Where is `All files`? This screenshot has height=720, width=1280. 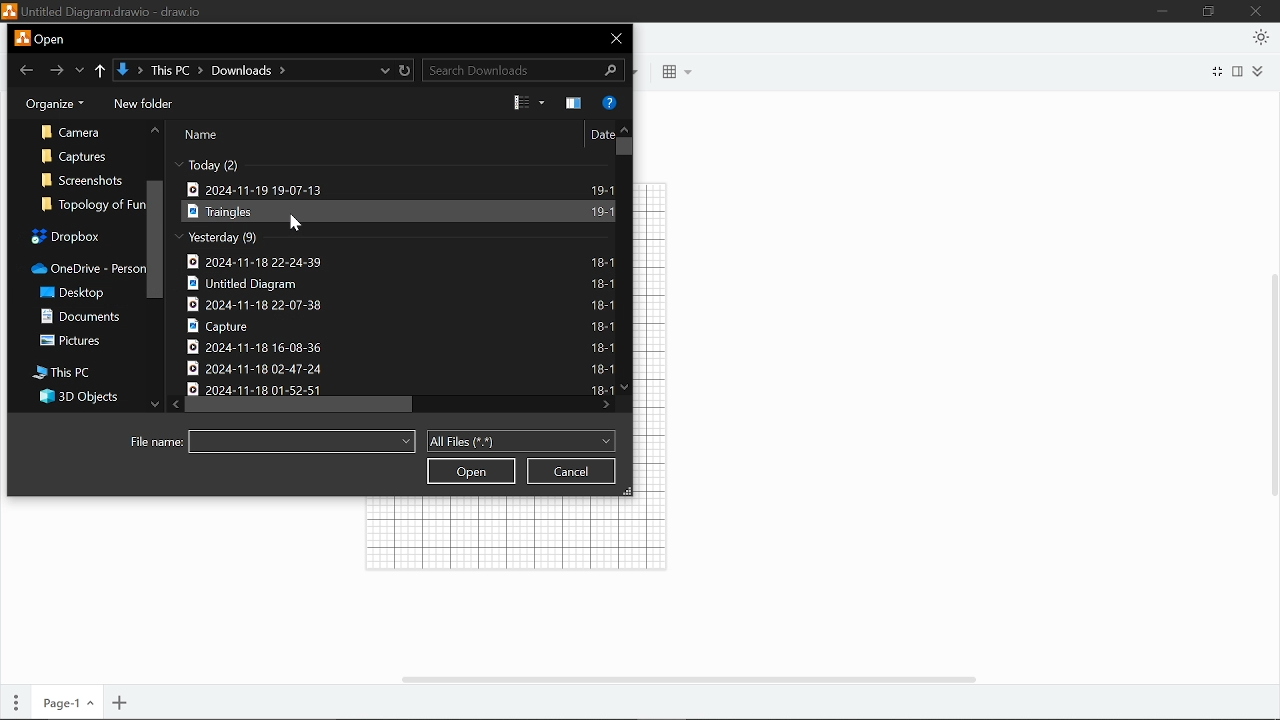 All files is located at coordinates (520, 442).